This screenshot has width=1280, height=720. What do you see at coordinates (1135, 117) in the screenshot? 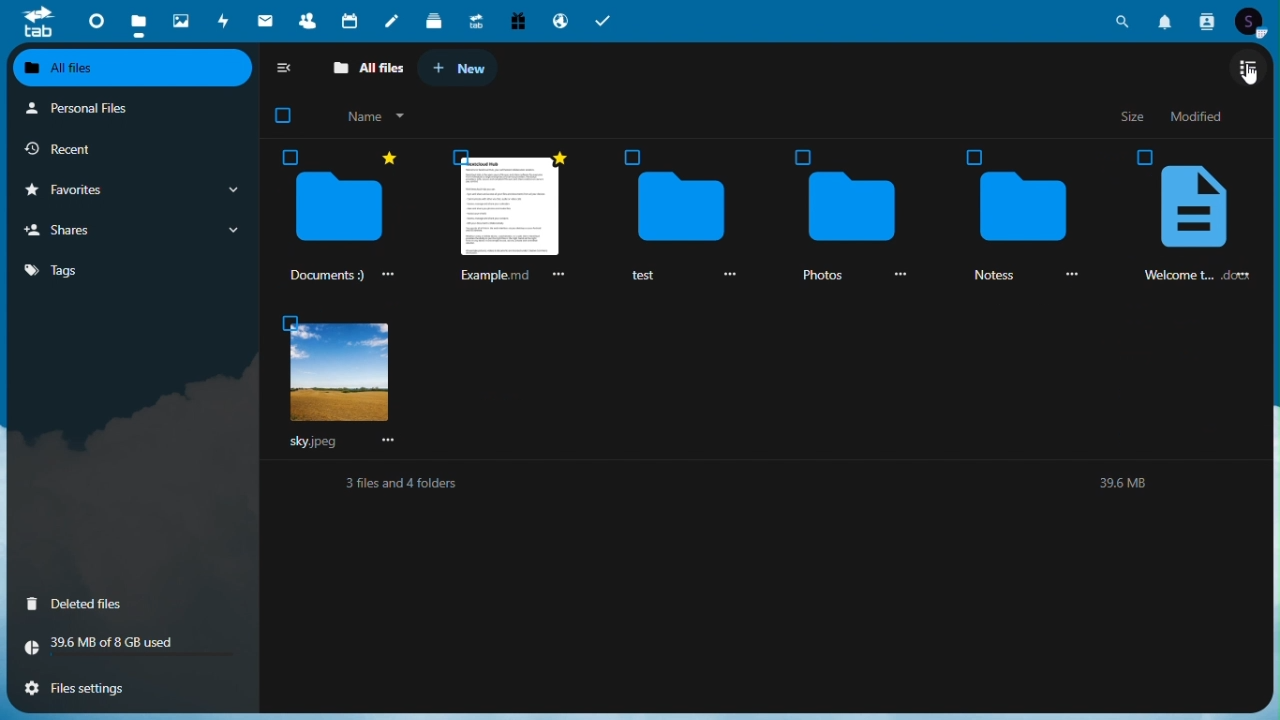
I see `size` at bounding box center [1135, 117].